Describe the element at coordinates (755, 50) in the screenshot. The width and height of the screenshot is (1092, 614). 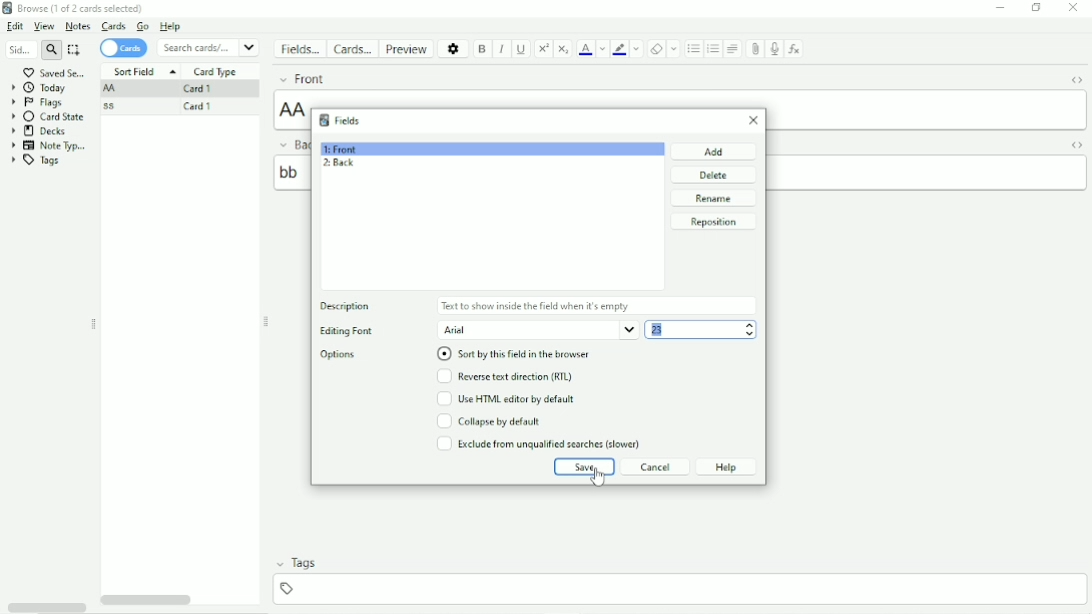
I see `Attach picture/audio/video` at that location.